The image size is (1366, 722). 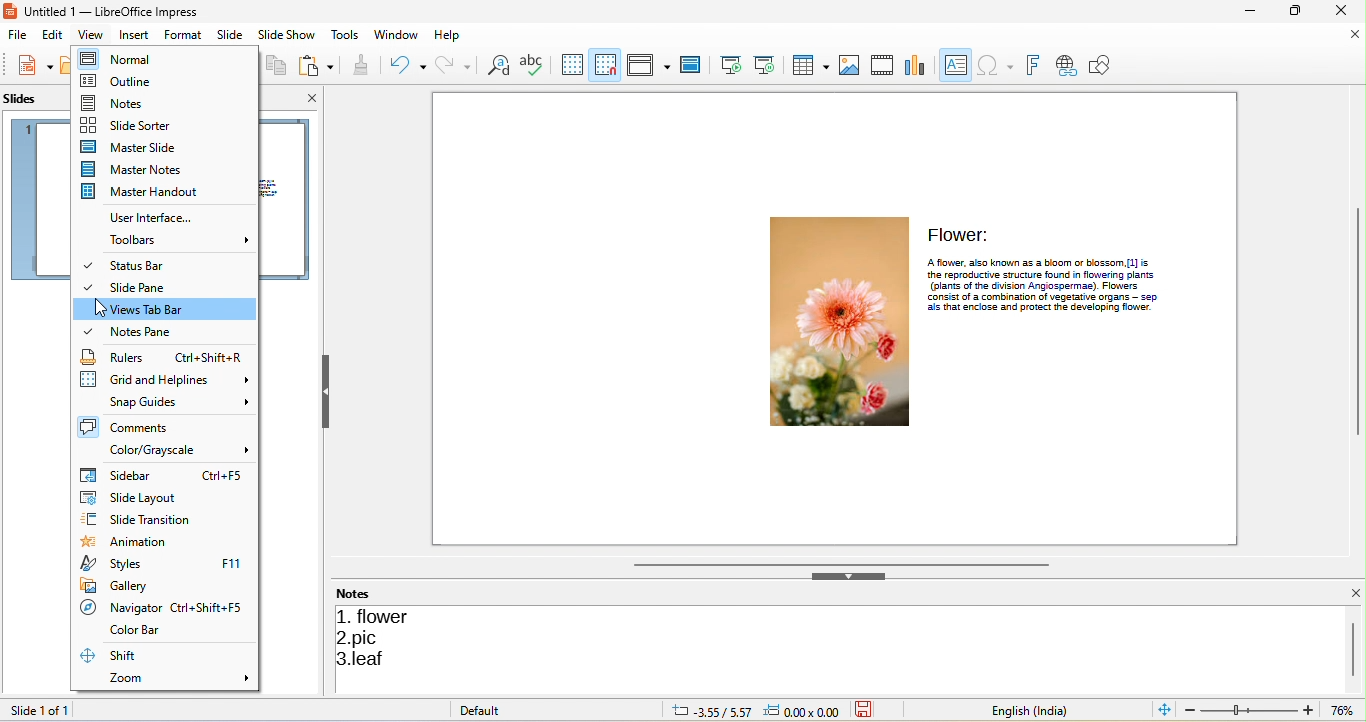 I want to click on user interface, so click(x=158, y=215).